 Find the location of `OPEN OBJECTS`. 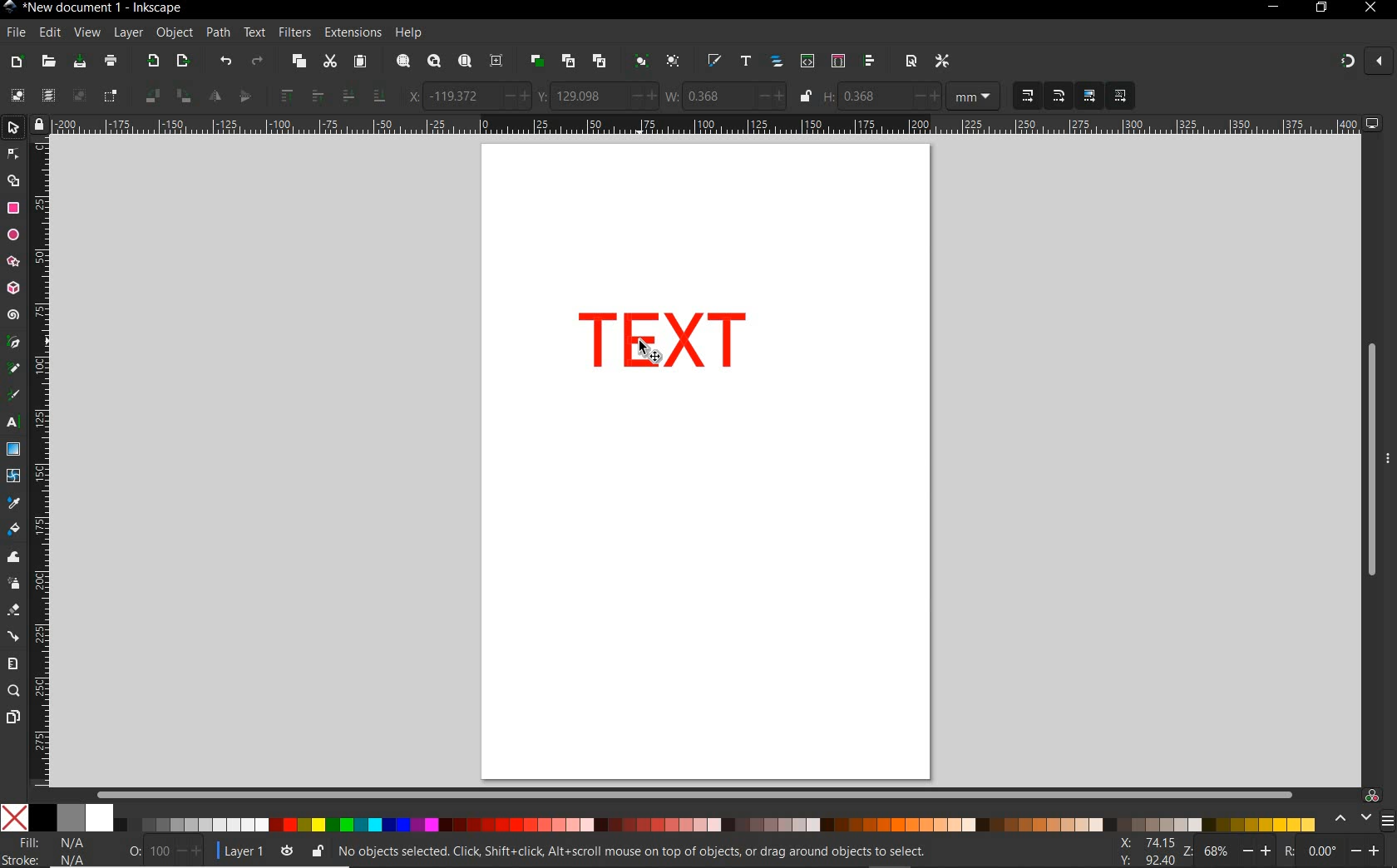

OPEN OBJECTS is located at coordinates (776, 62).